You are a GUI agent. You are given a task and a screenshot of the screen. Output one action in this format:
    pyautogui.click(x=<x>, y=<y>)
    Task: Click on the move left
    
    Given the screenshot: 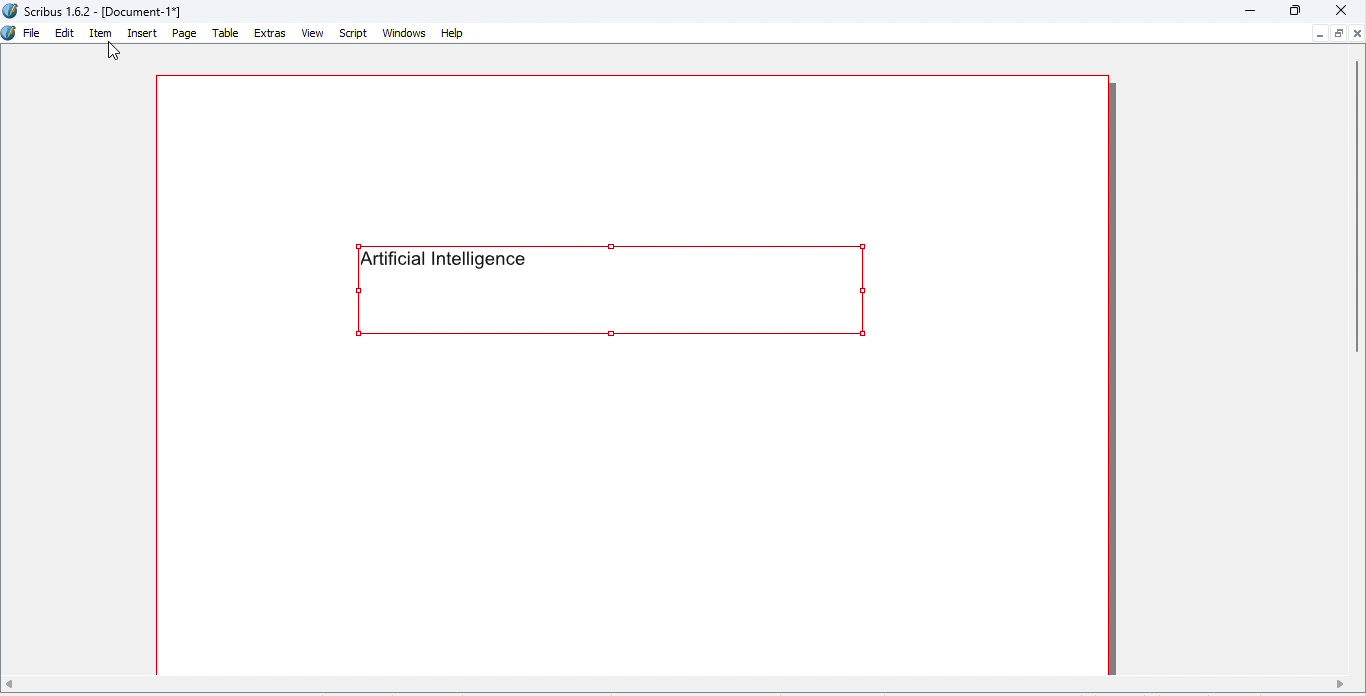 What is the action you would take?
    pyautogui.click(x=9, y=682)
    